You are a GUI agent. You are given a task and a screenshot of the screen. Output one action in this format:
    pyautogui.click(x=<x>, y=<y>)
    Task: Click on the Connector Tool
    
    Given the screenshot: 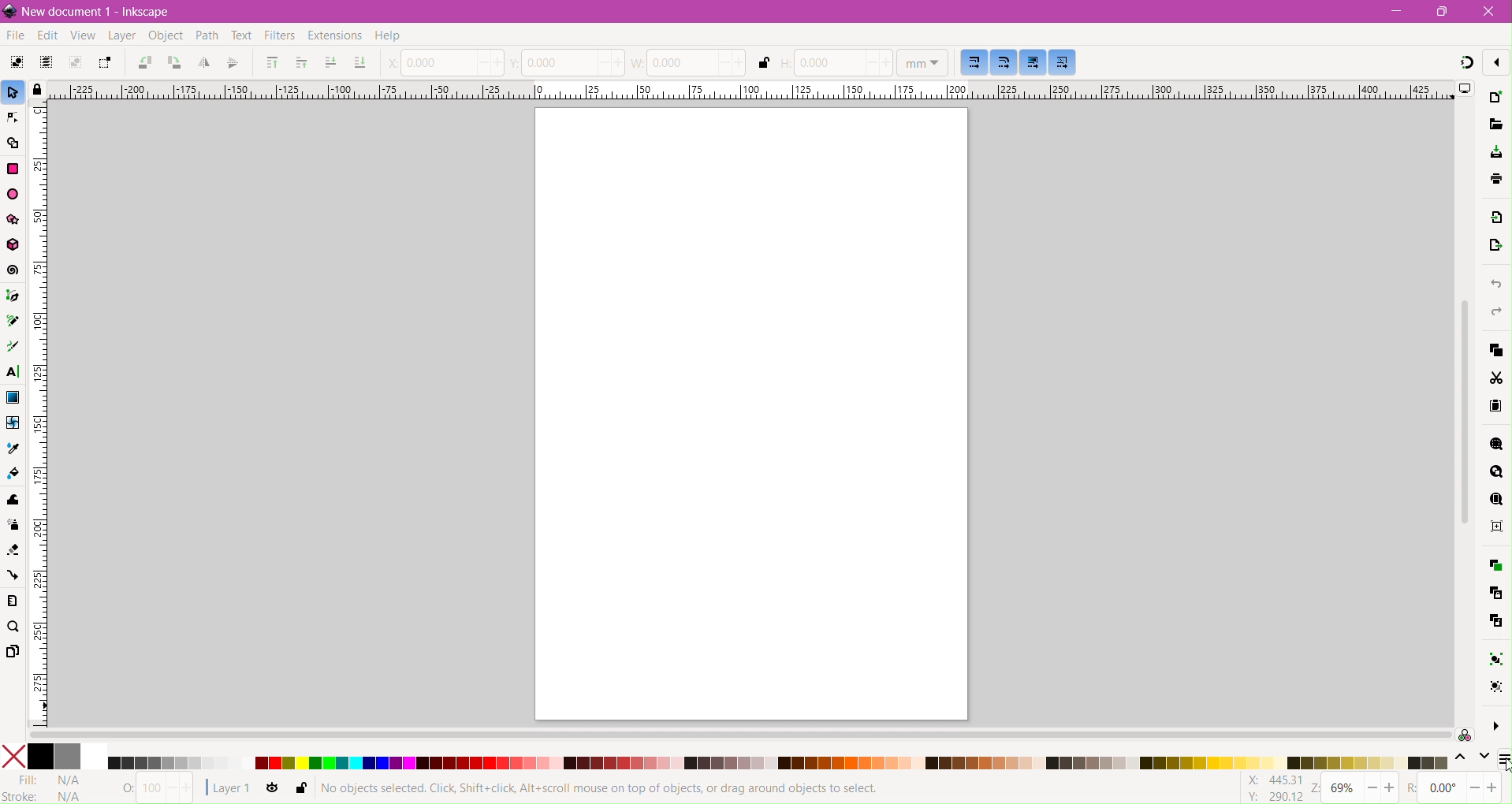 What is the action you would take?
    pyautogui.click(x=12, y=576)
    